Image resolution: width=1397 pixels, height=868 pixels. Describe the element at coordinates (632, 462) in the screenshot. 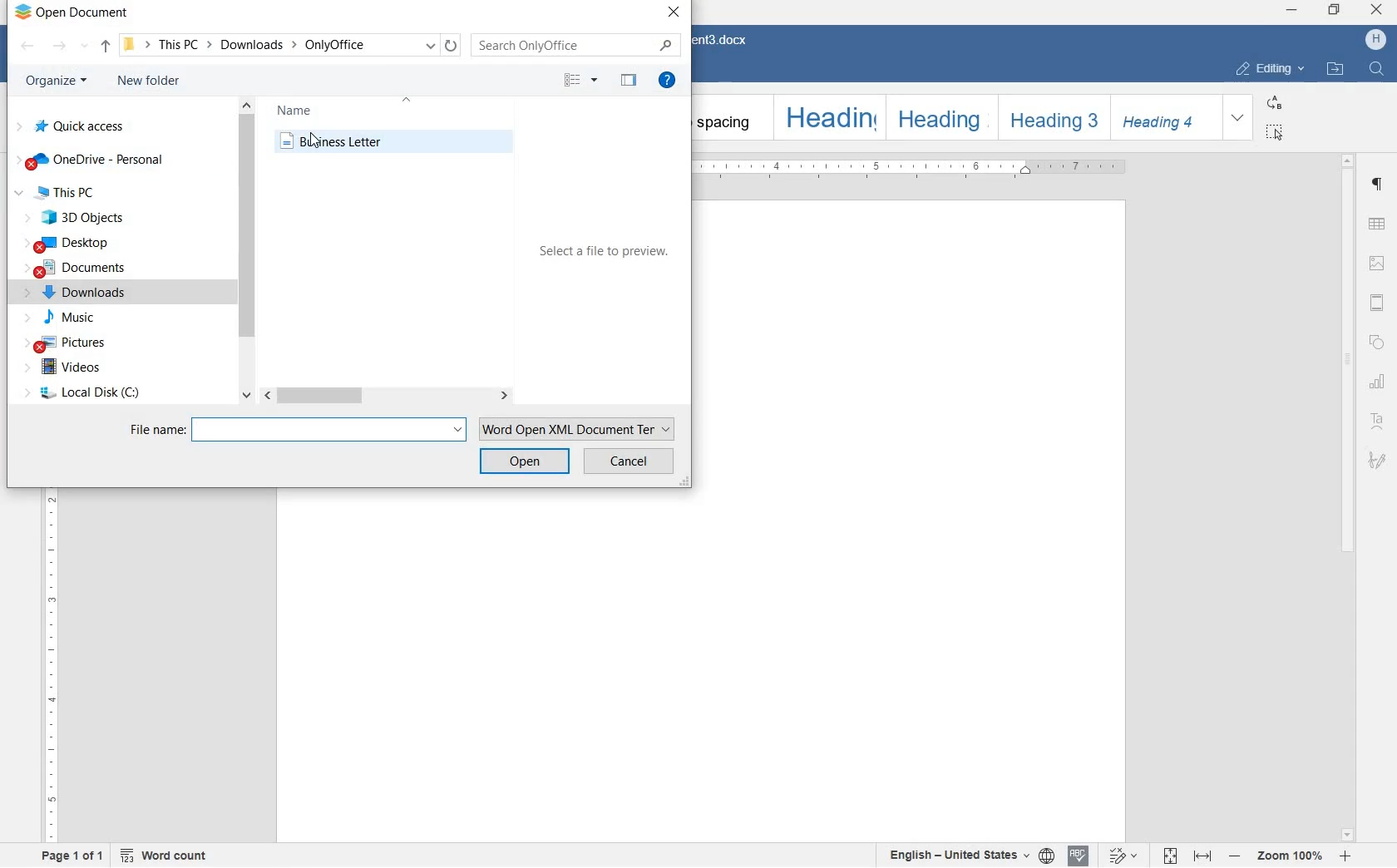

I see `cancel` at that location.